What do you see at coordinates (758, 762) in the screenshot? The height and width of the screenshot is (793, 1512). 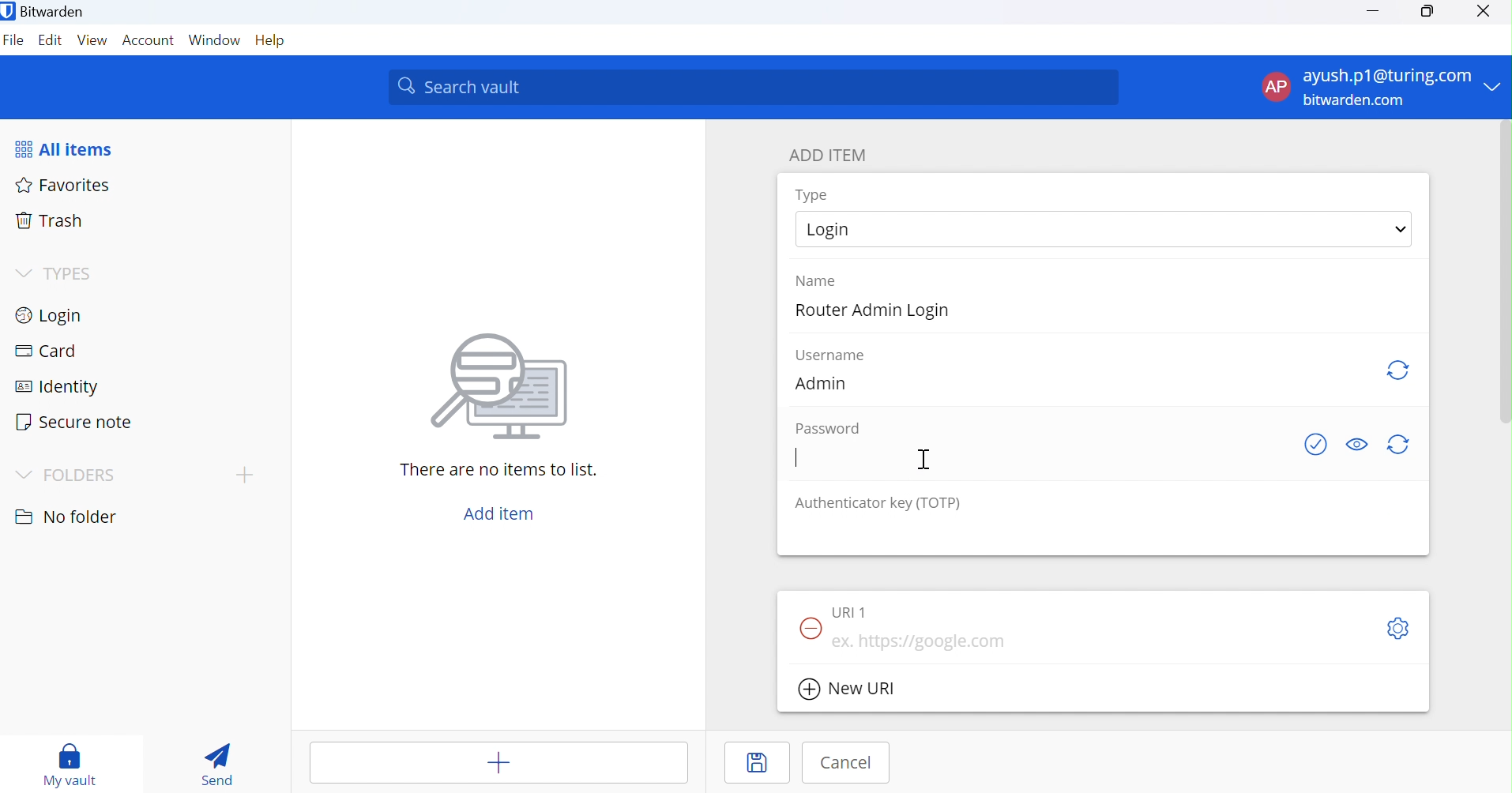 I see `Save` at bounding box center [758, 762].